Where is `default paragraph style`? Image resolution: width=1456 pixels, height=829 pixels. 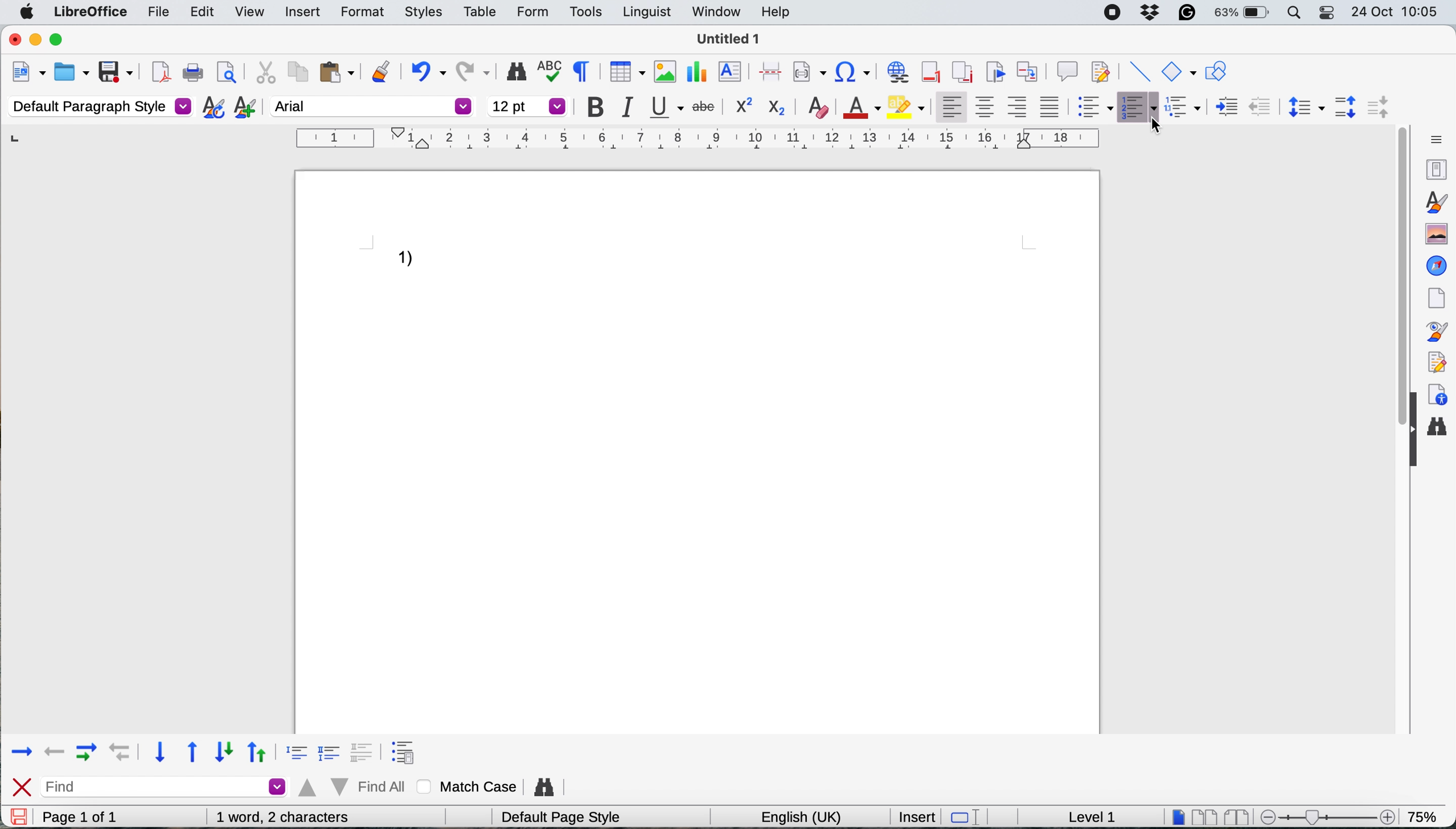 default paragraph style is located at coordinates (100, 106).